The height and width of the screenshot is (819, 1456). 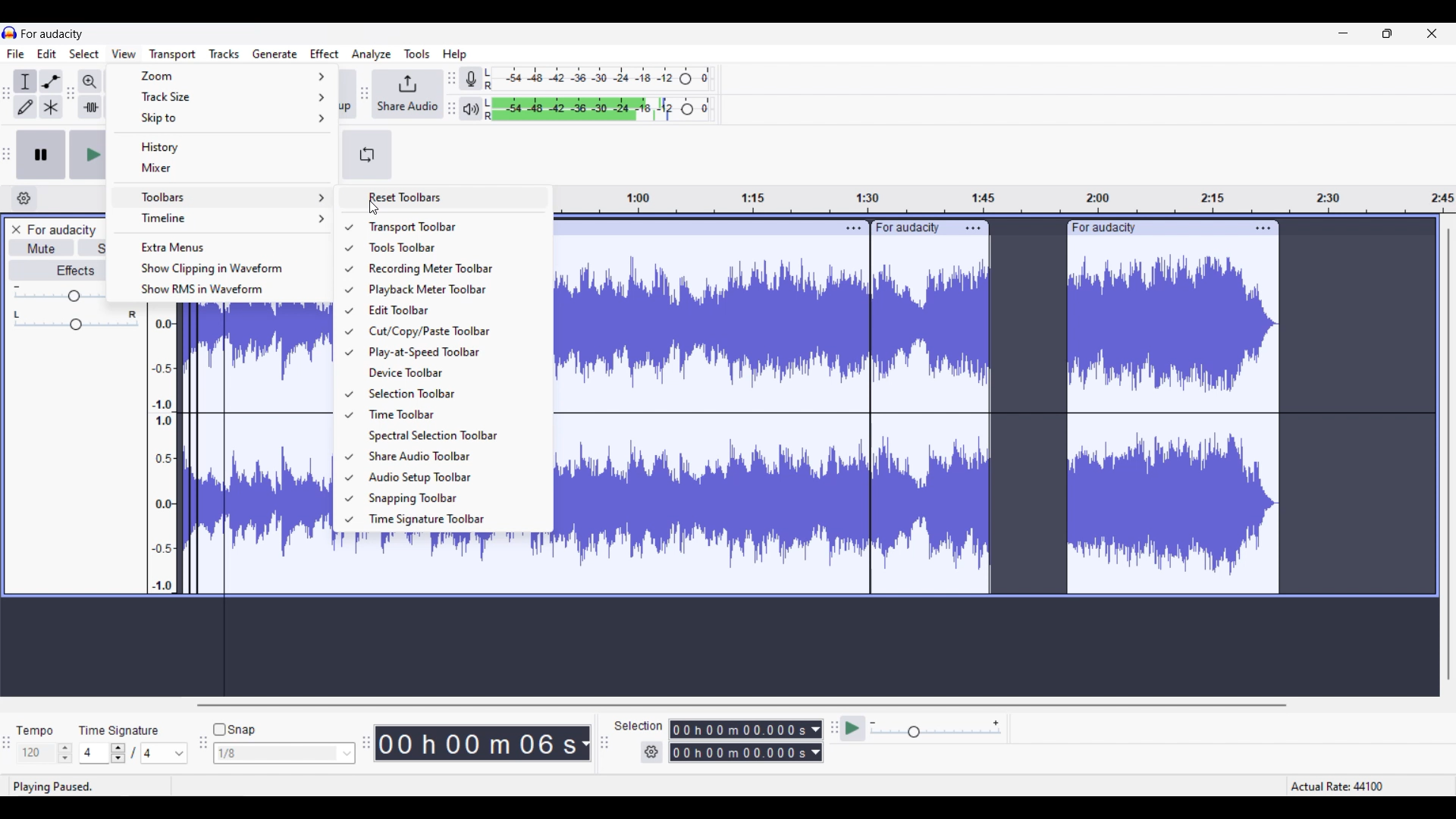 What do you see at coordinates (450, 268) in the screenshot?
I see `Recording meter toolbar` at bounding box center [450, 268].